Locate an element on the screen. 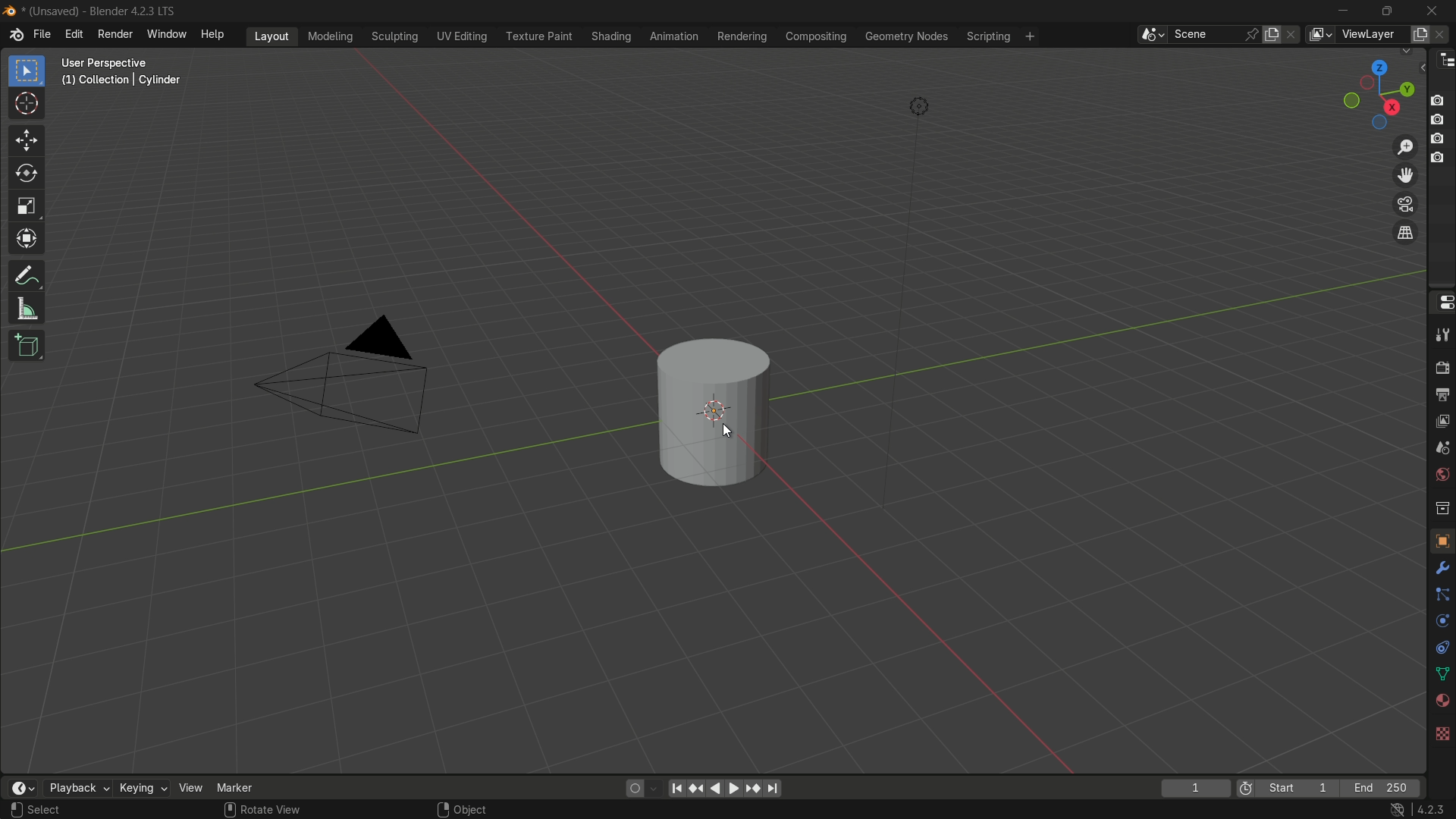 This screenshot has width=1456, height=819. layer 3 is located at coordinates (1439, 138).